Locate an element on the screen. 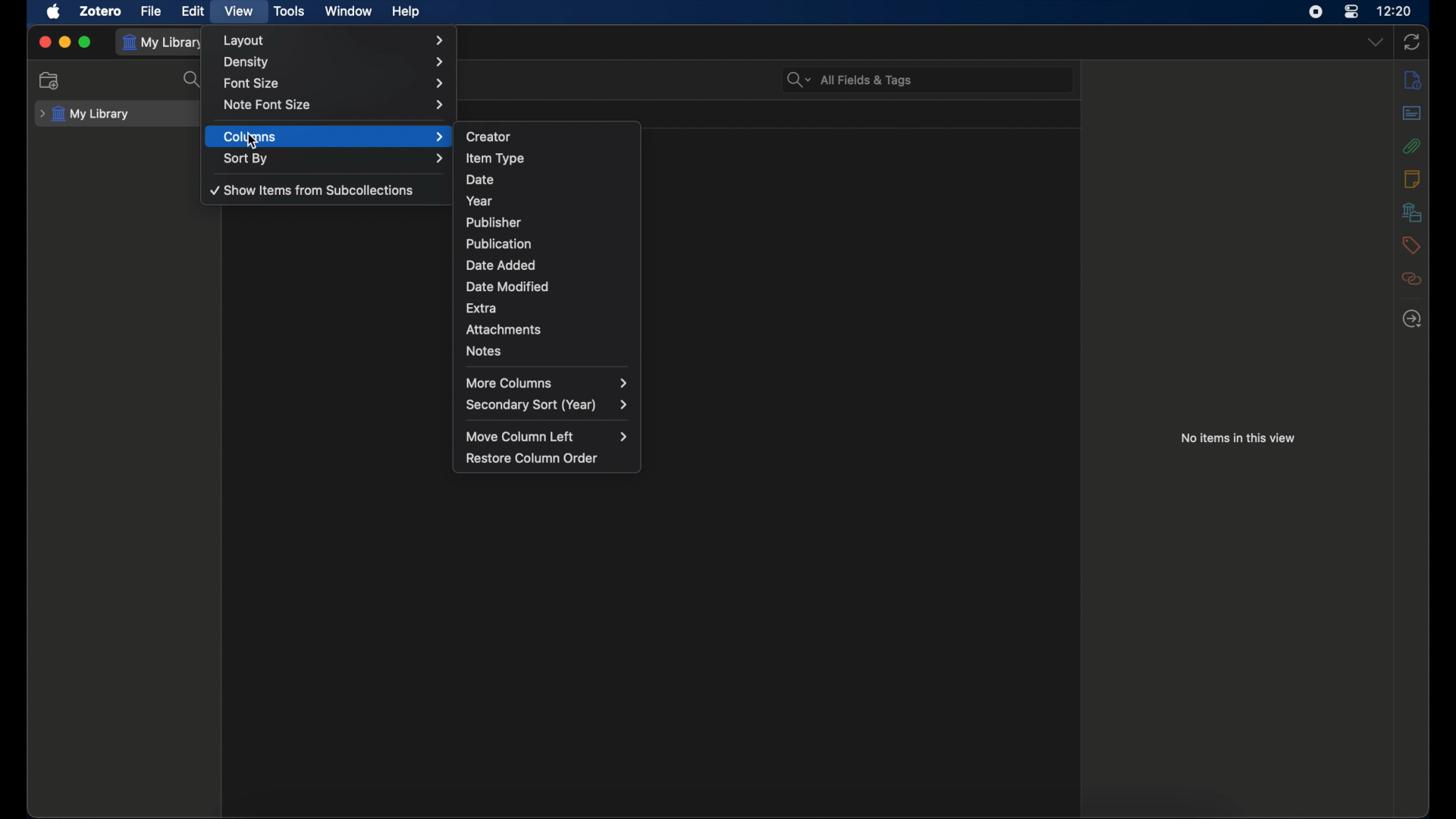  date added is located at coordinates (500, 265).